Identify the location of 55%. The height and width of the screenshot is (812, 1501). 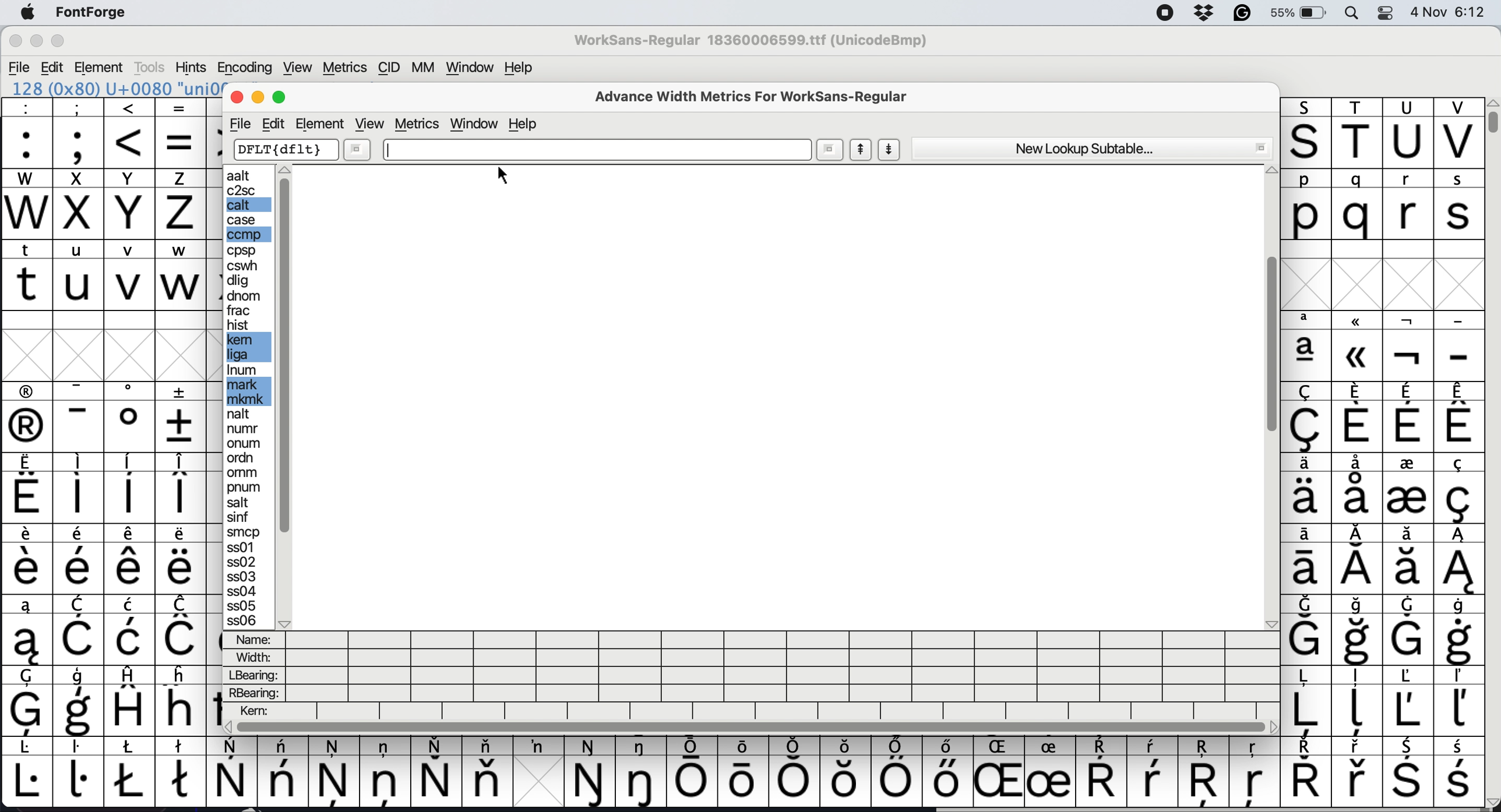
(1295, 17).